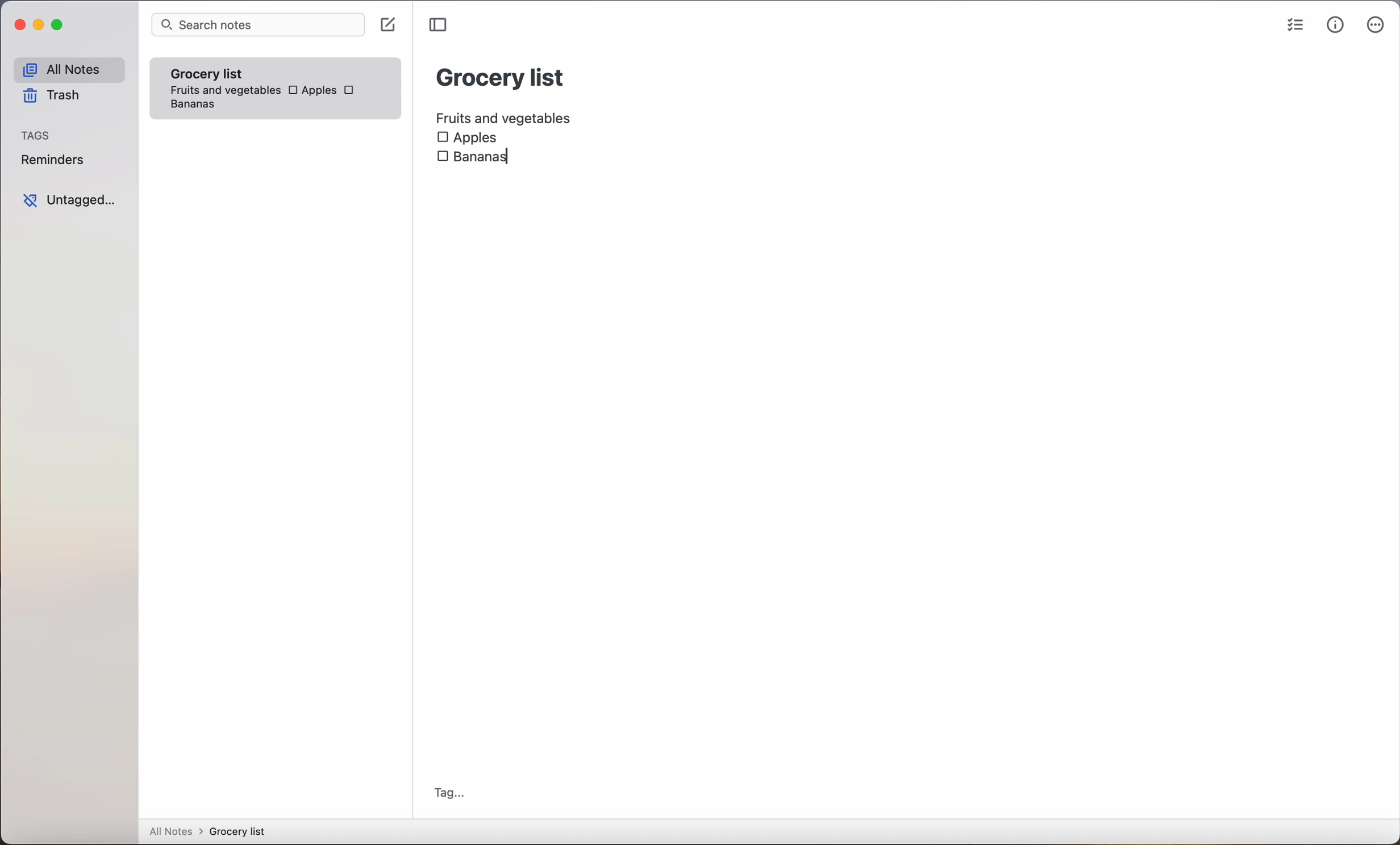  Describe the element at coordinates (468, 137) in the screenshot. I see `Apples checkbox` at that location.